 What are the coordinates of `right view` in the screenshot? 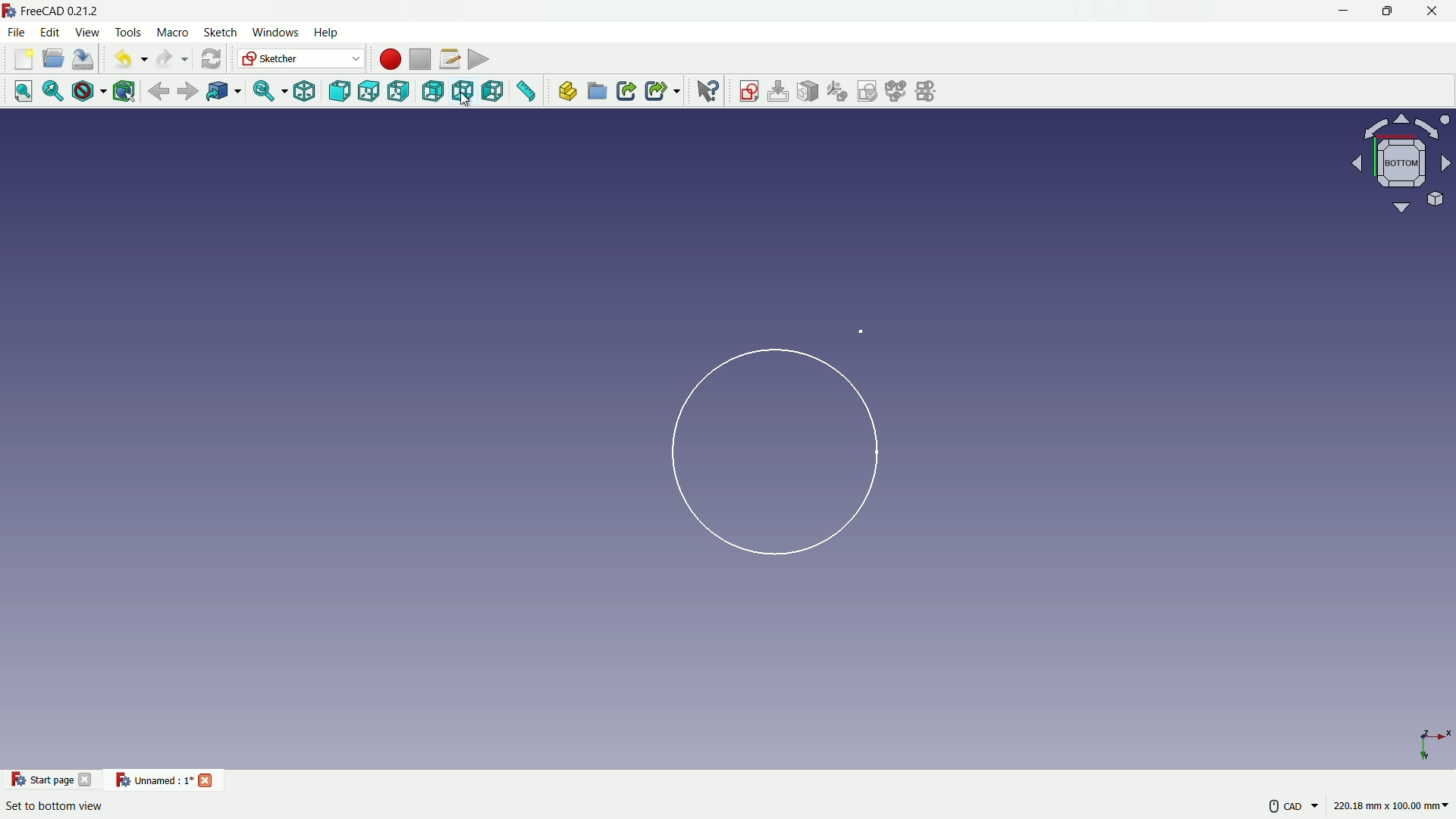 It's located at (398, 92).